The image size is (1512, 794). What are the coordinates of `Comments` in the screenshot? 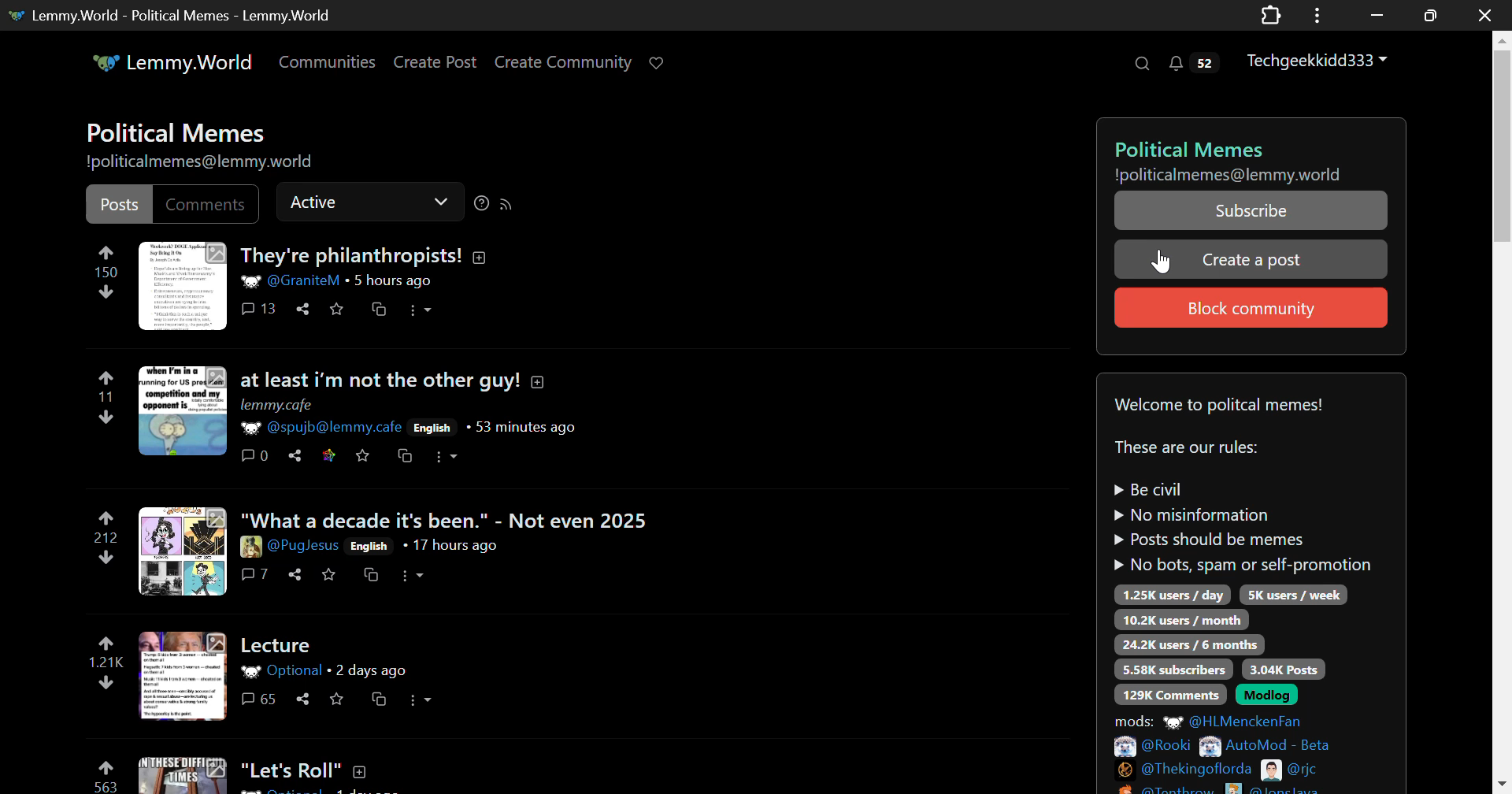 It's located at (259, 699).